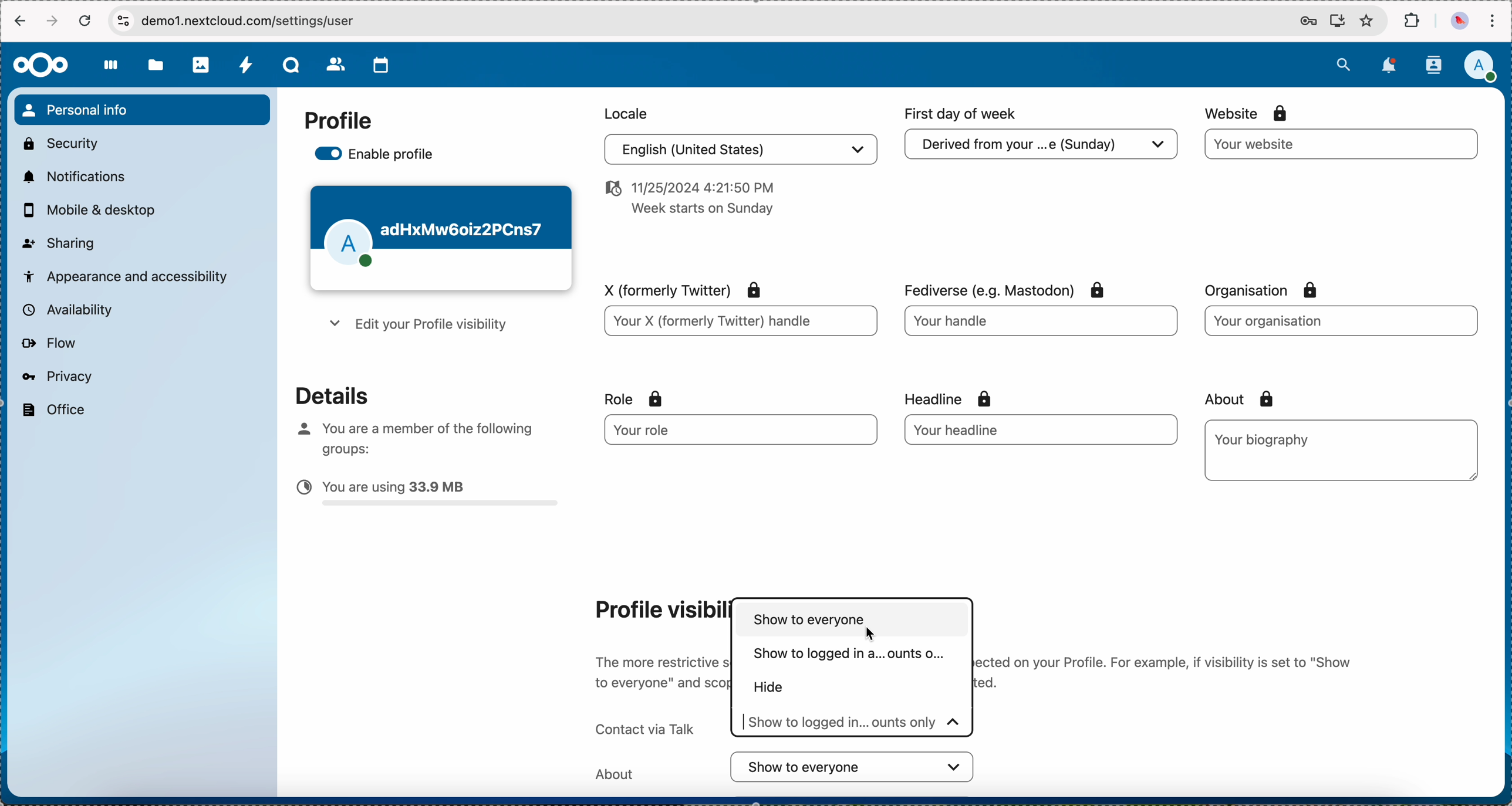 The image size is (1512, 806). Describe the element at coordinates (1005, 429) in the screenshot. I see `your headline` at that location.